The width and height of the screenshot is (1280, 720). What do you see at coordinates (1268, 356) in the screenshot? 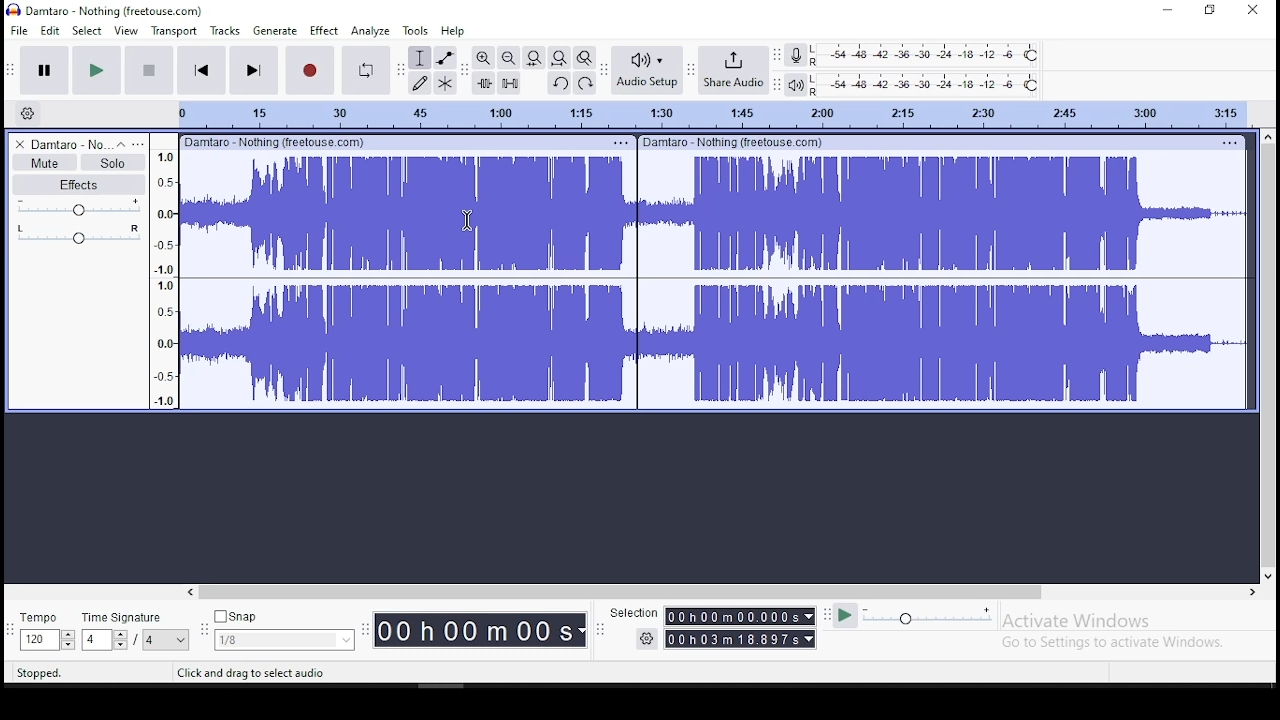
I see `scroll bar` at bounding box center [1268, 356].